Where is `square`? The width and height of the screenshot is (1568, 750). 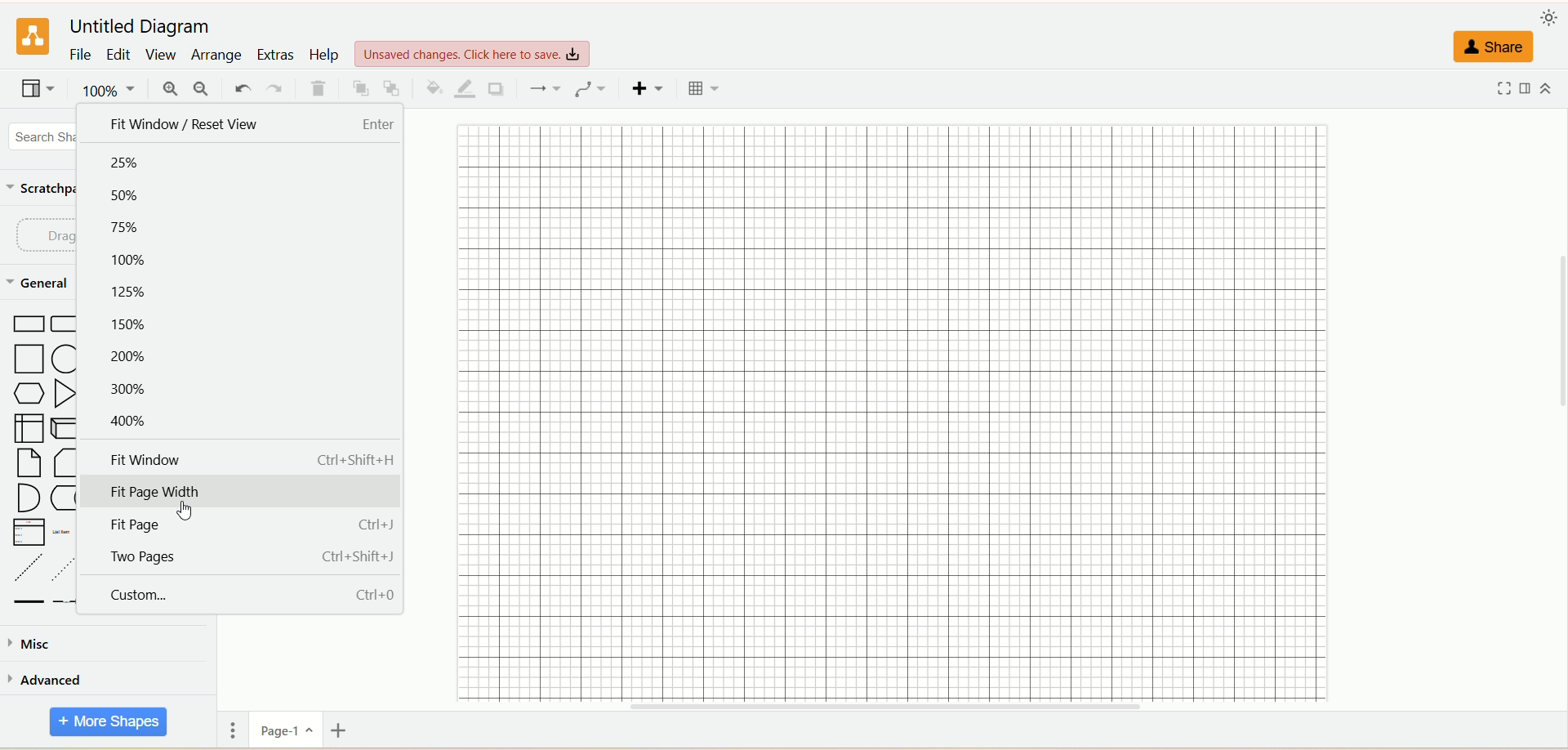
square is located at coordinates (32, 359).